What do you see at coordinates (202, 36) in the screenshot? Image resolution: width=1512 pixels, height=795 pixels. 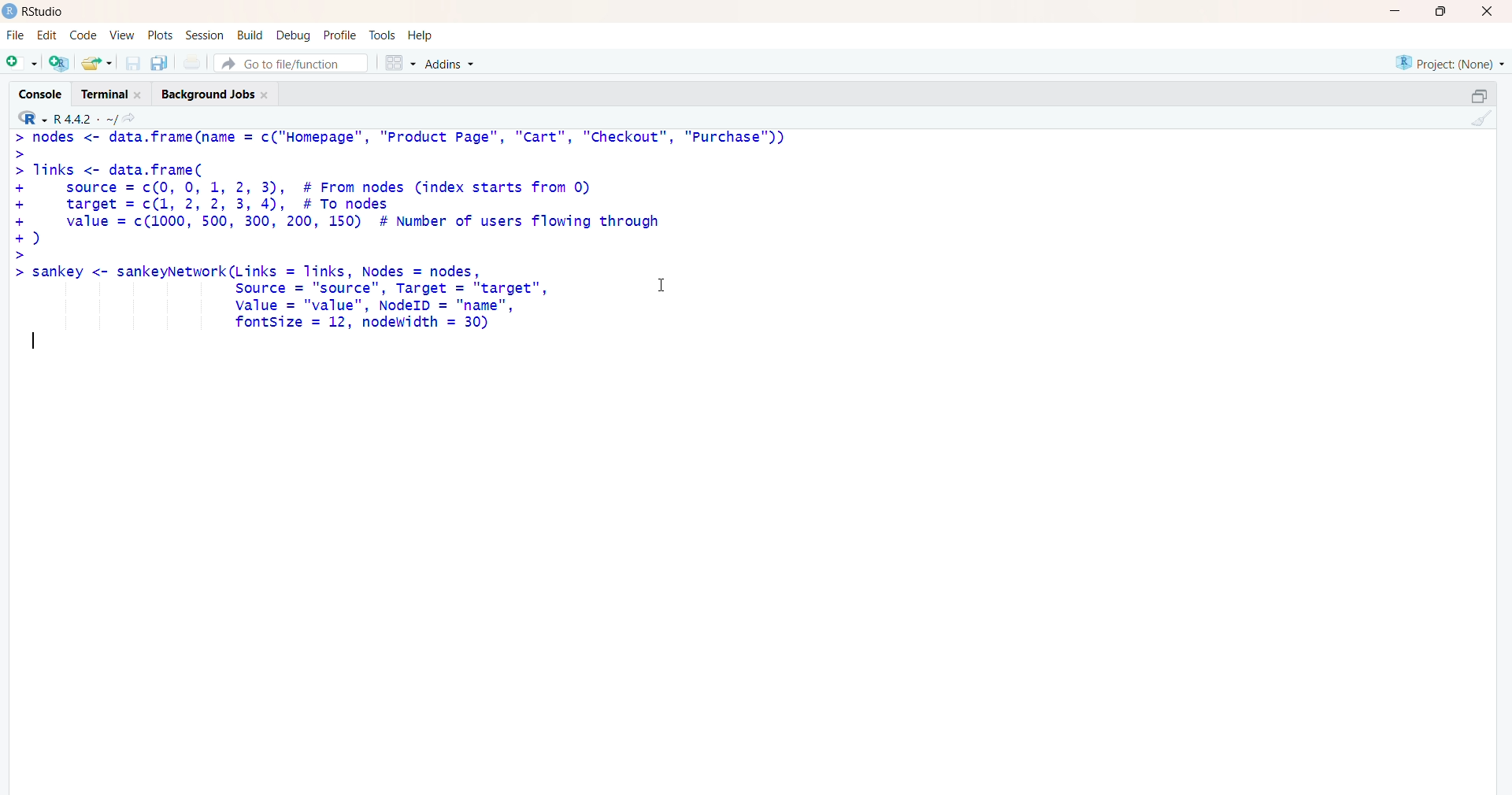 I see `session` at bounding box center [202, 36].